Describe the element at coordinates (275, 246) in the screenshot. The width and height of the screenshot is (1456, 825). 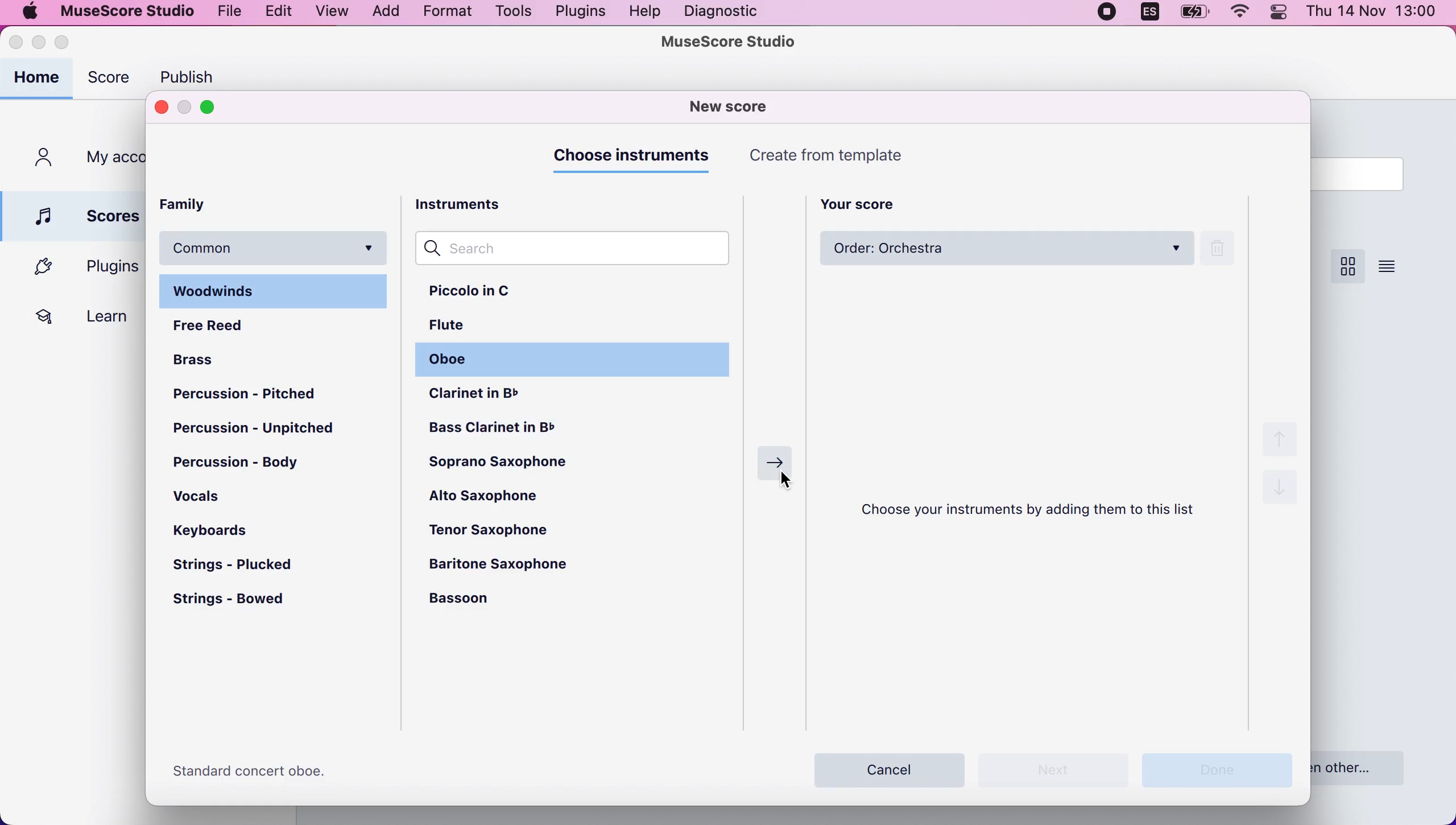
I see `common` at that location.